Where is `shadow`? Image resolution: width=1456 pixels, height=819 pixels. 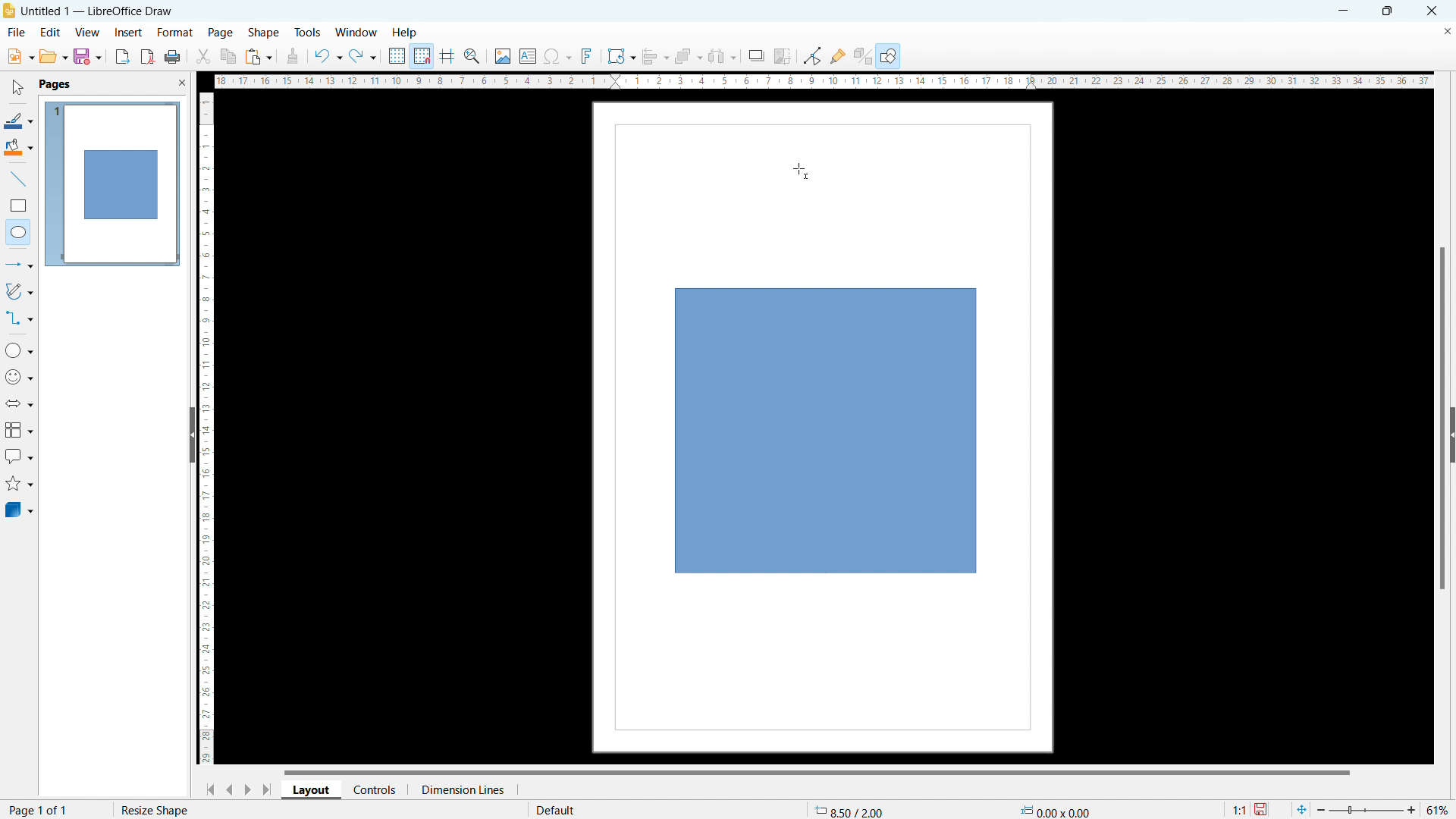 shadow is located at coordinates (755, 56).